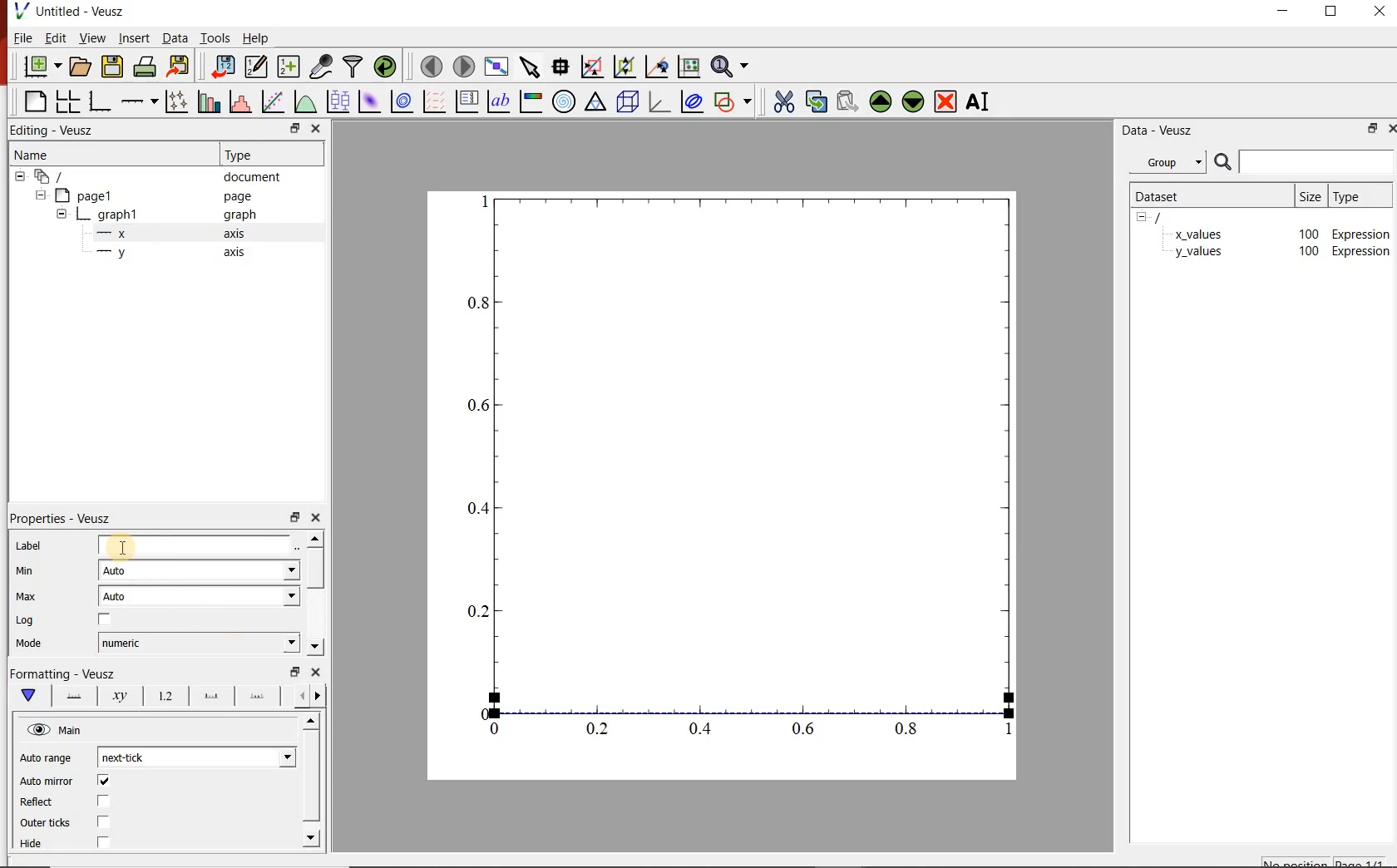 This screenshot has height=868, width=1397. What do you see at coordinates (239, 215) in the screenshot?
I see `graph` at bounding box center [239, 215].